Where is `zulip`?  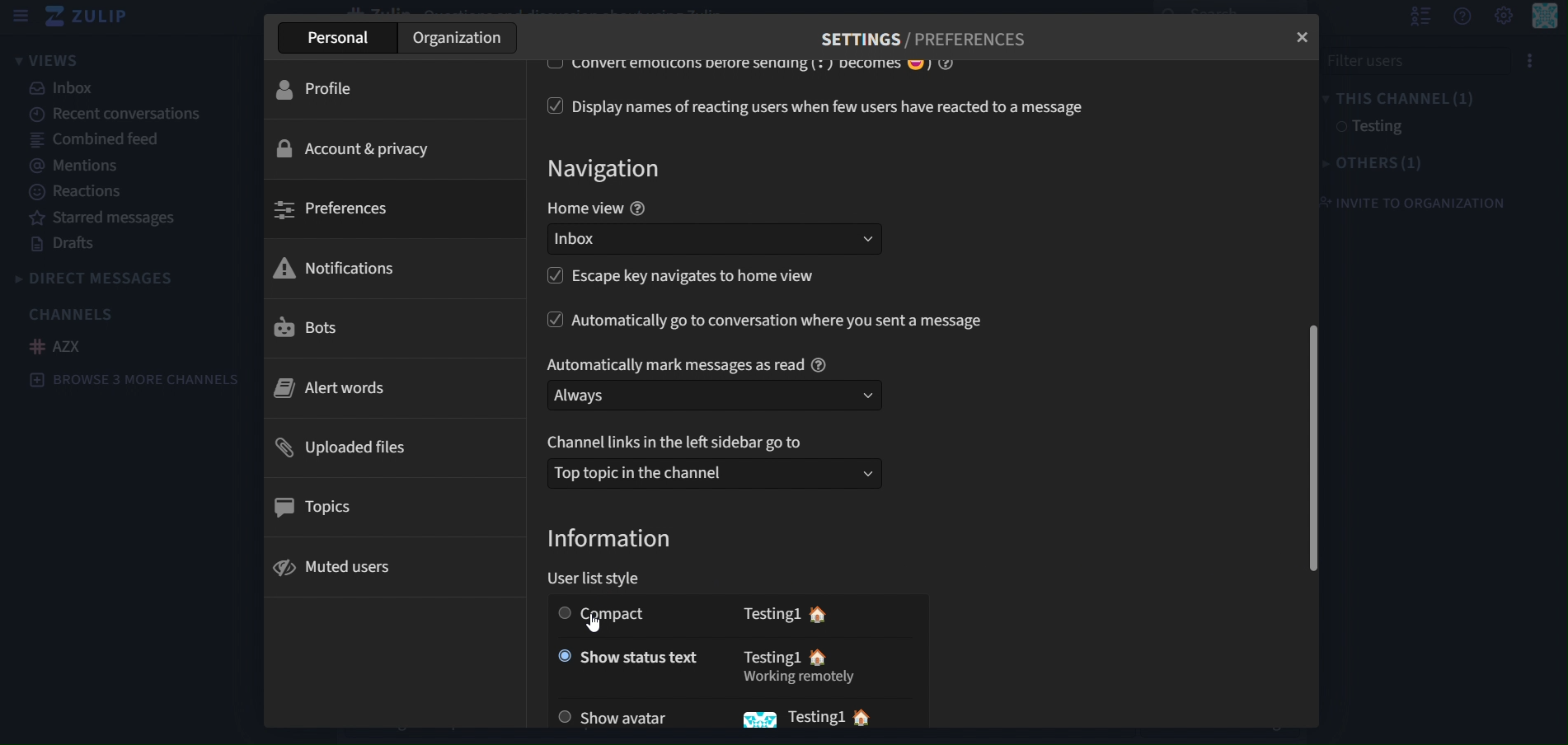 zulip is located at coordinates (89, 17).